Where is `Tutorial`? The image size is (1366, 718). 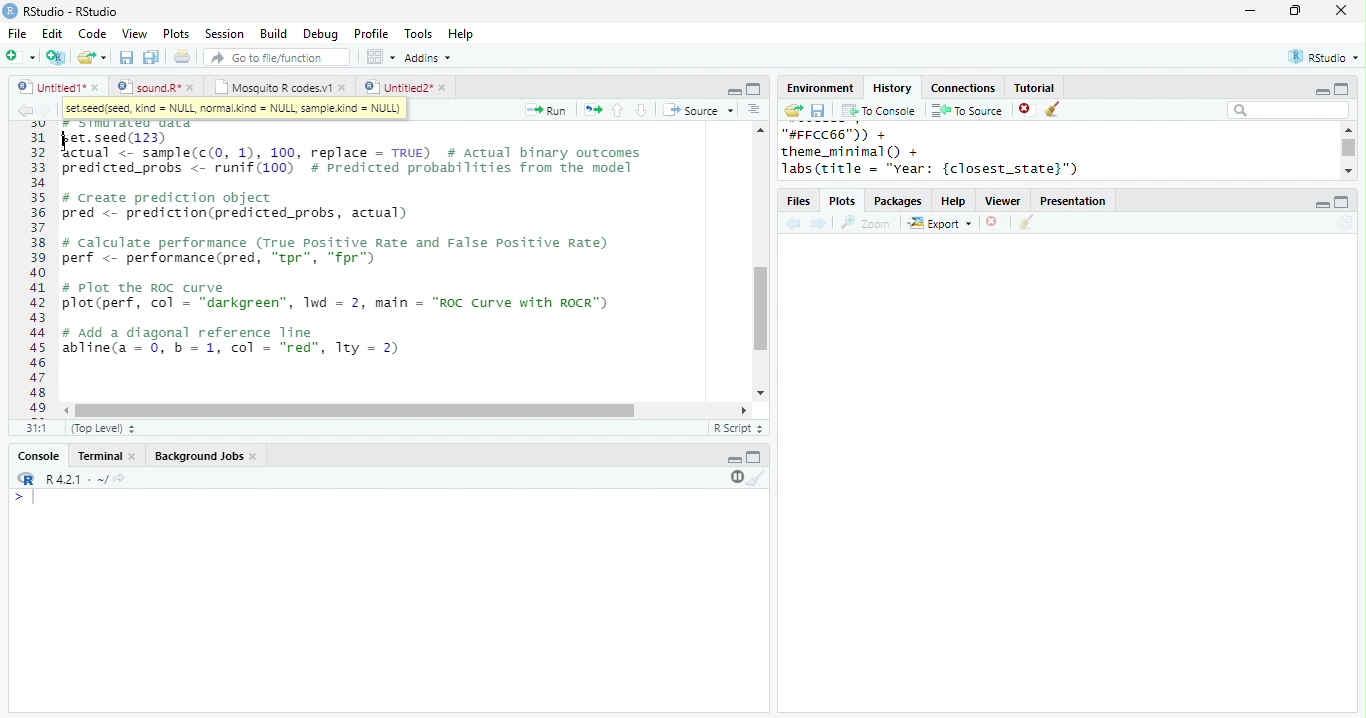
Tutorial is located at coordinates (1033, 87).